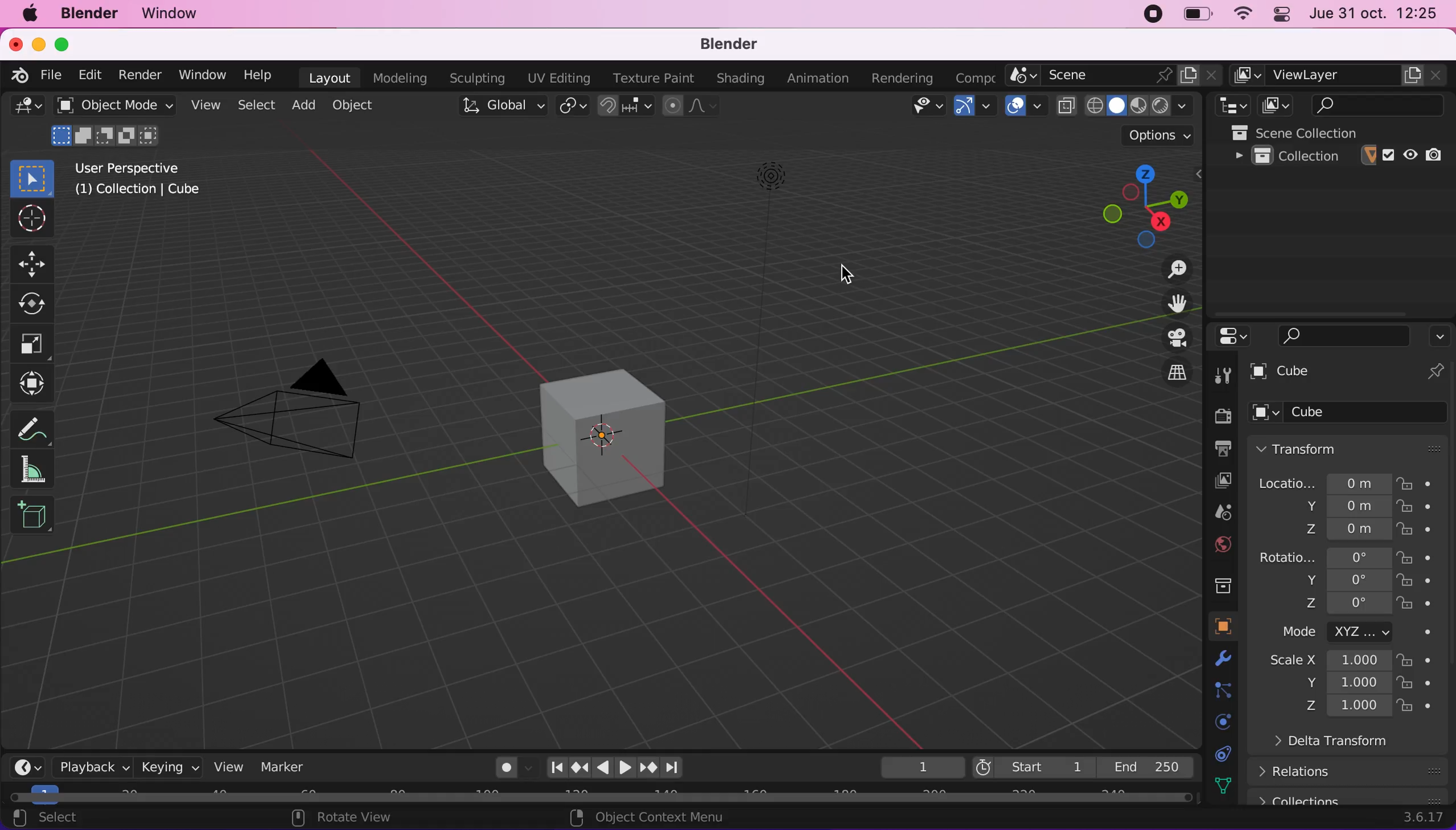 The image size is (1456, 830). What do you see at coordinates (1144, 105) in the screenshot?
I see `viewport shading` at bounding box center [1144, 105].